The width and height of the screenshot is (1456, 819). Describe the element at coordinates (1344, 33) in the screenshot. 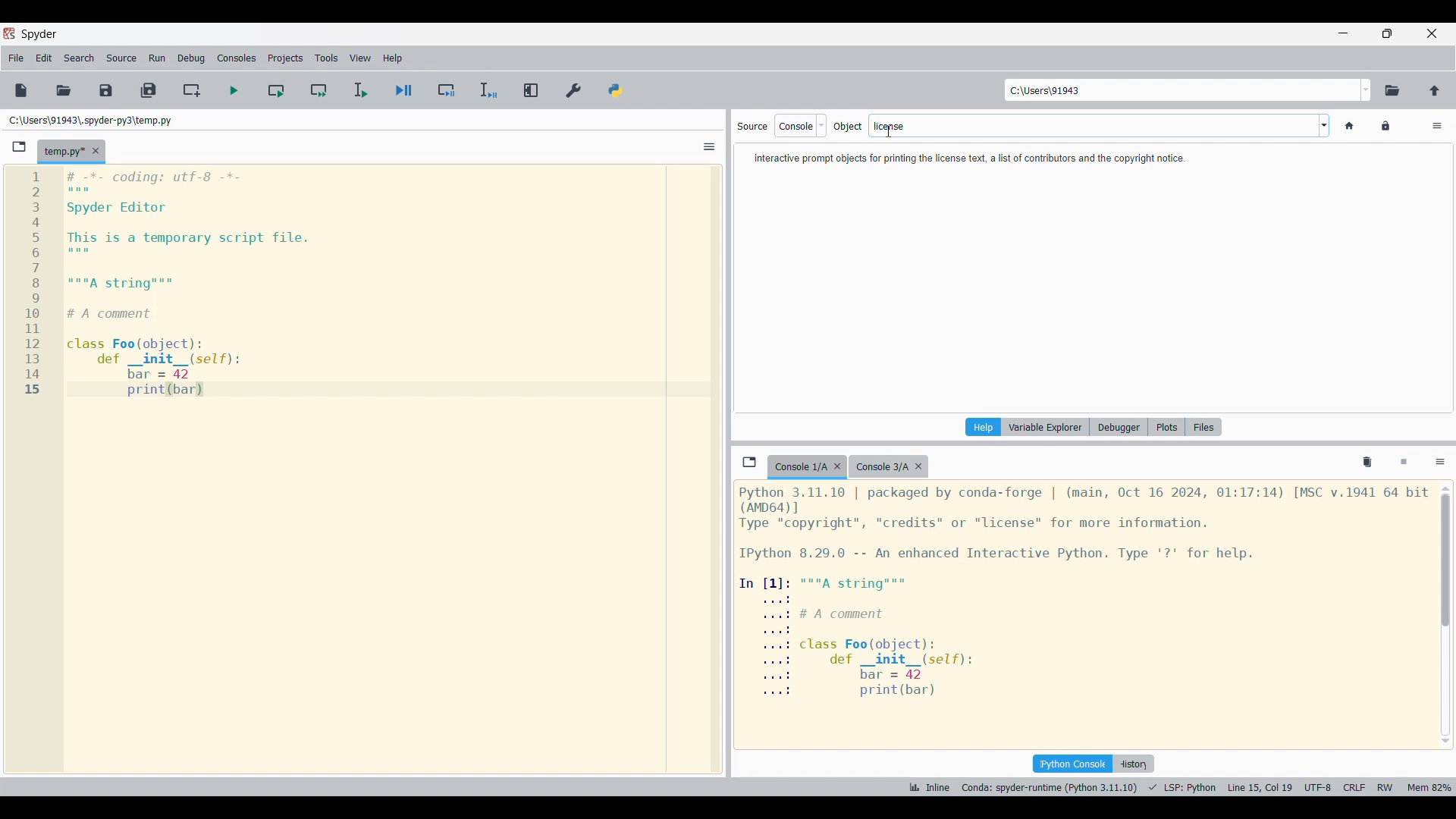

I see `Minimize` at that location.